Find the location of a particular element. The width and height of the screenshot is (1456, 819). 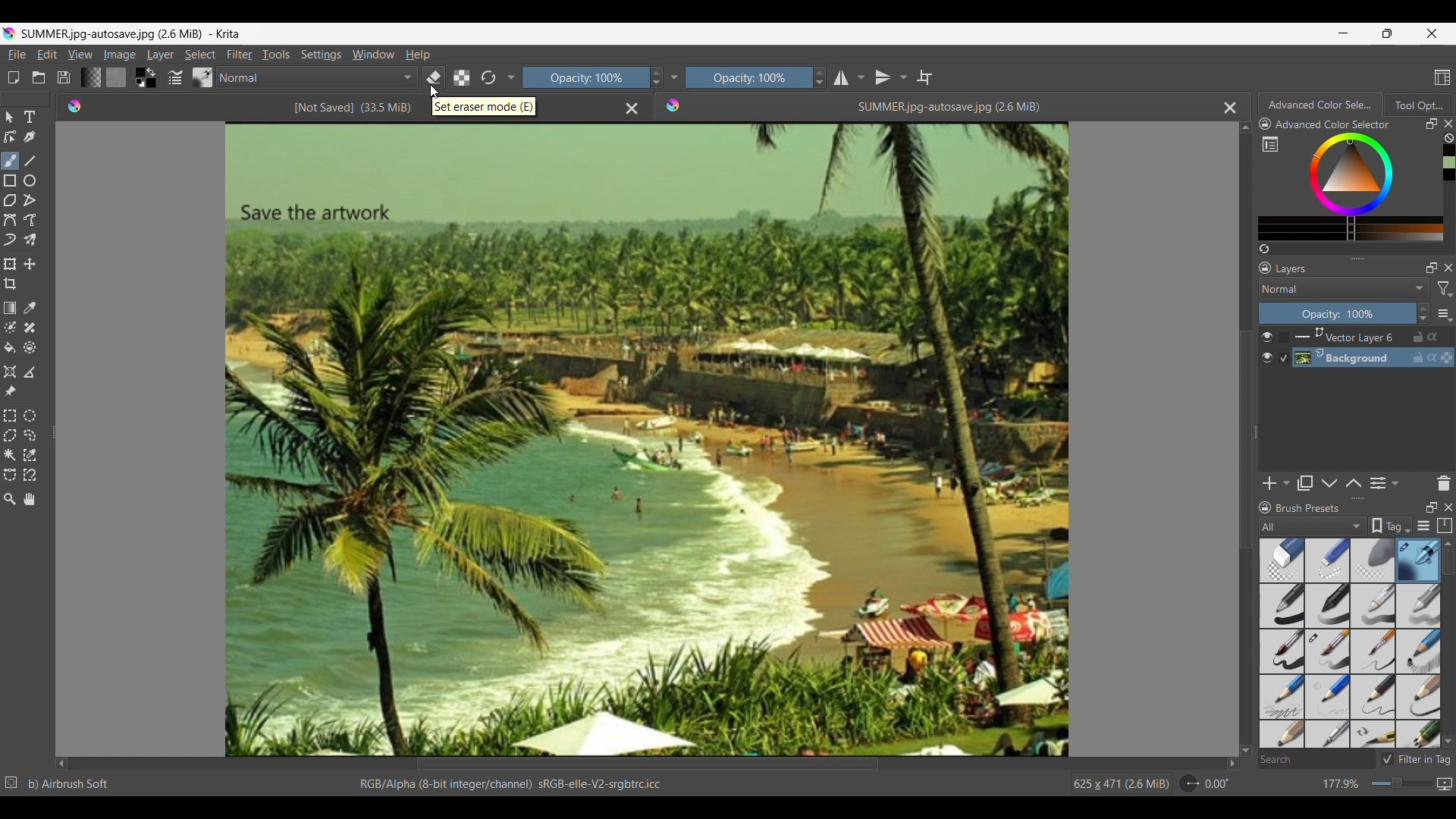

Vertical mirror tool options is located at coordinates (891, 77).